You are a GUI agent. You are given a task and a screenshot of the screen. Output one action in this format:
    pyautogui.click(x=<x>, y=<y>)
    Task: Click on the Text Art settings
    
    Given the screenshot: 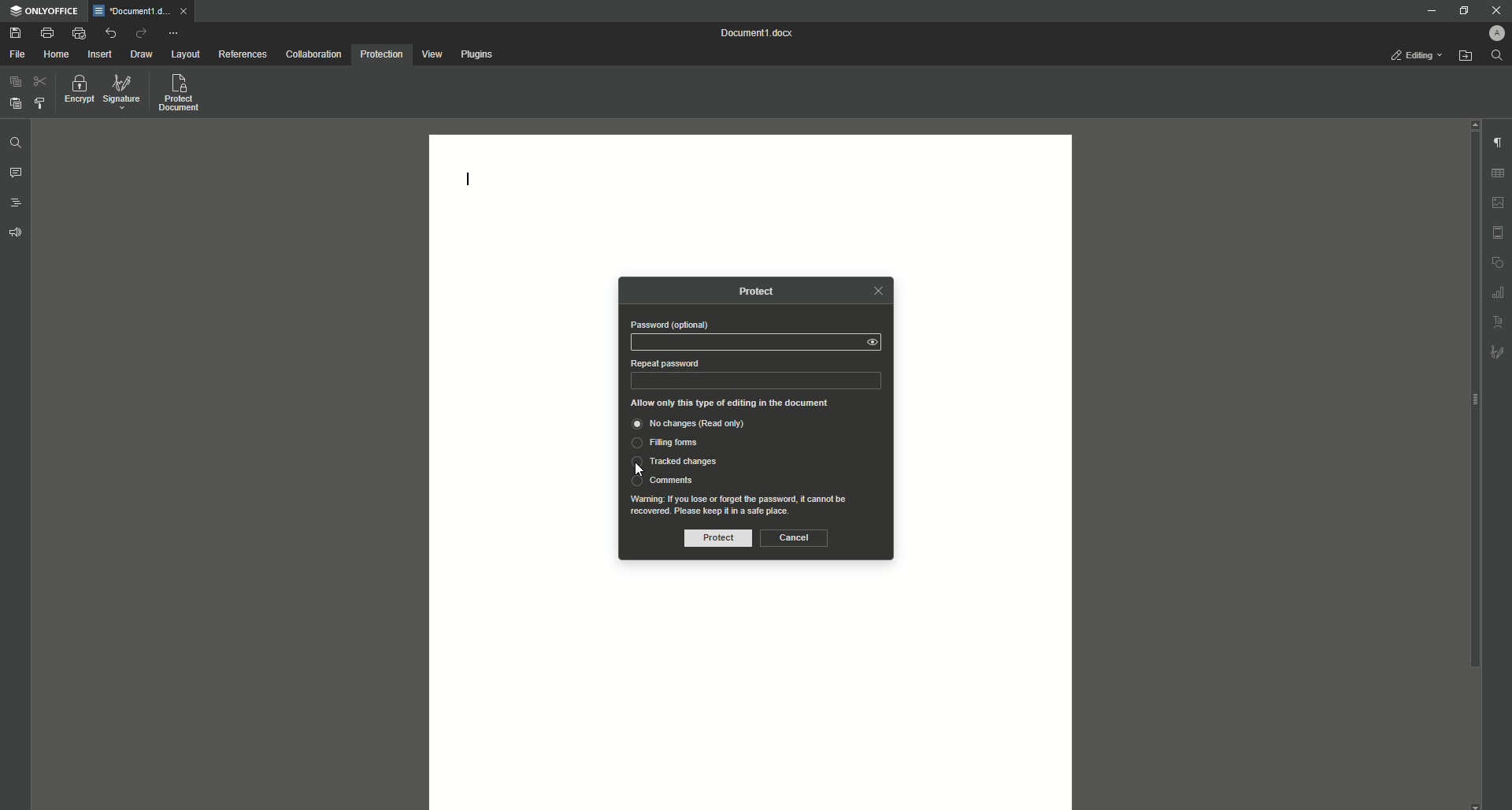 What is the action you would take?
    pyautogui.click(x=1499, y=321)
    